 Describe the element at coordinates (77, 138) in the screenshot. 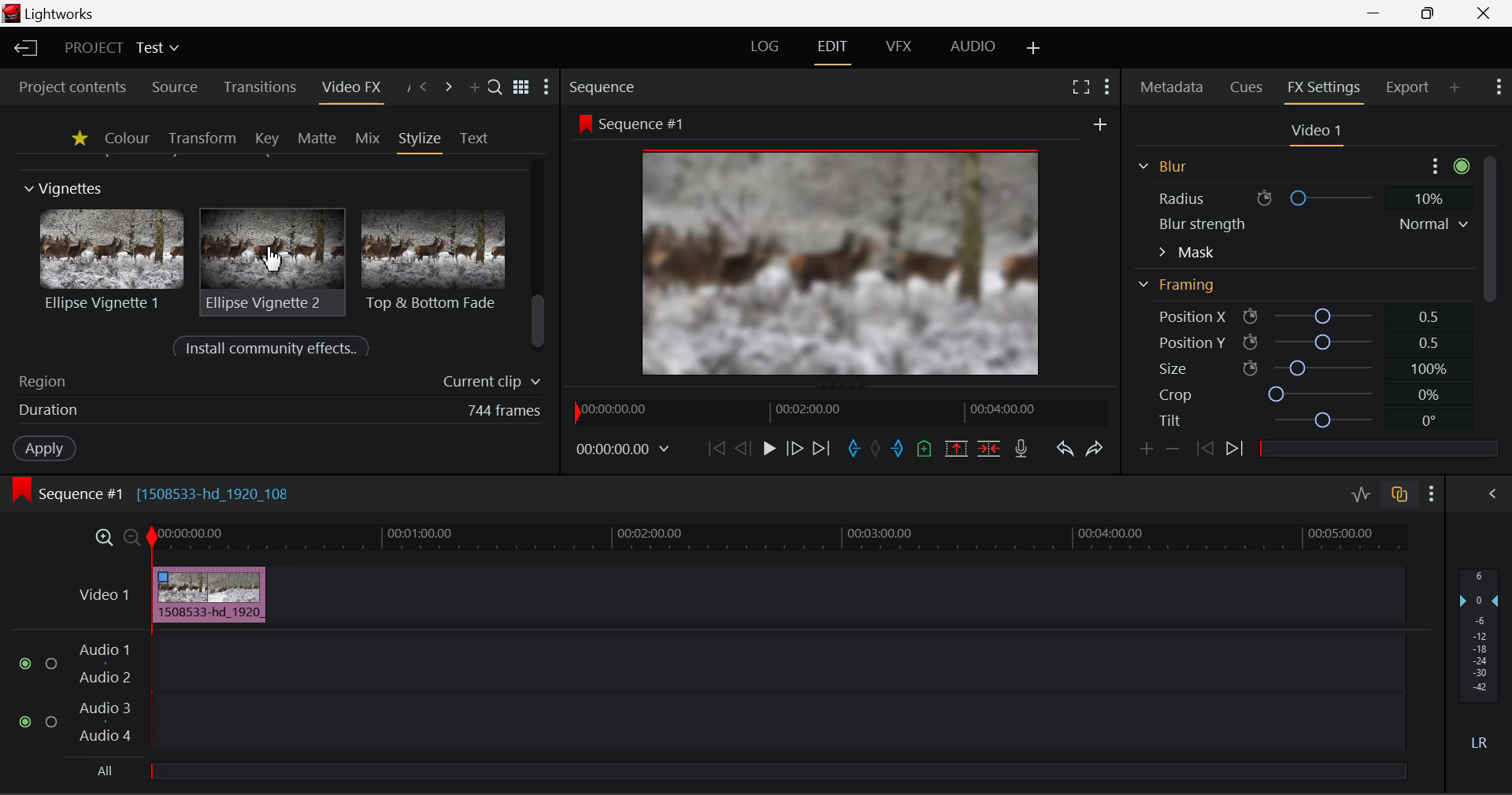

I see `Favourites` at that location.